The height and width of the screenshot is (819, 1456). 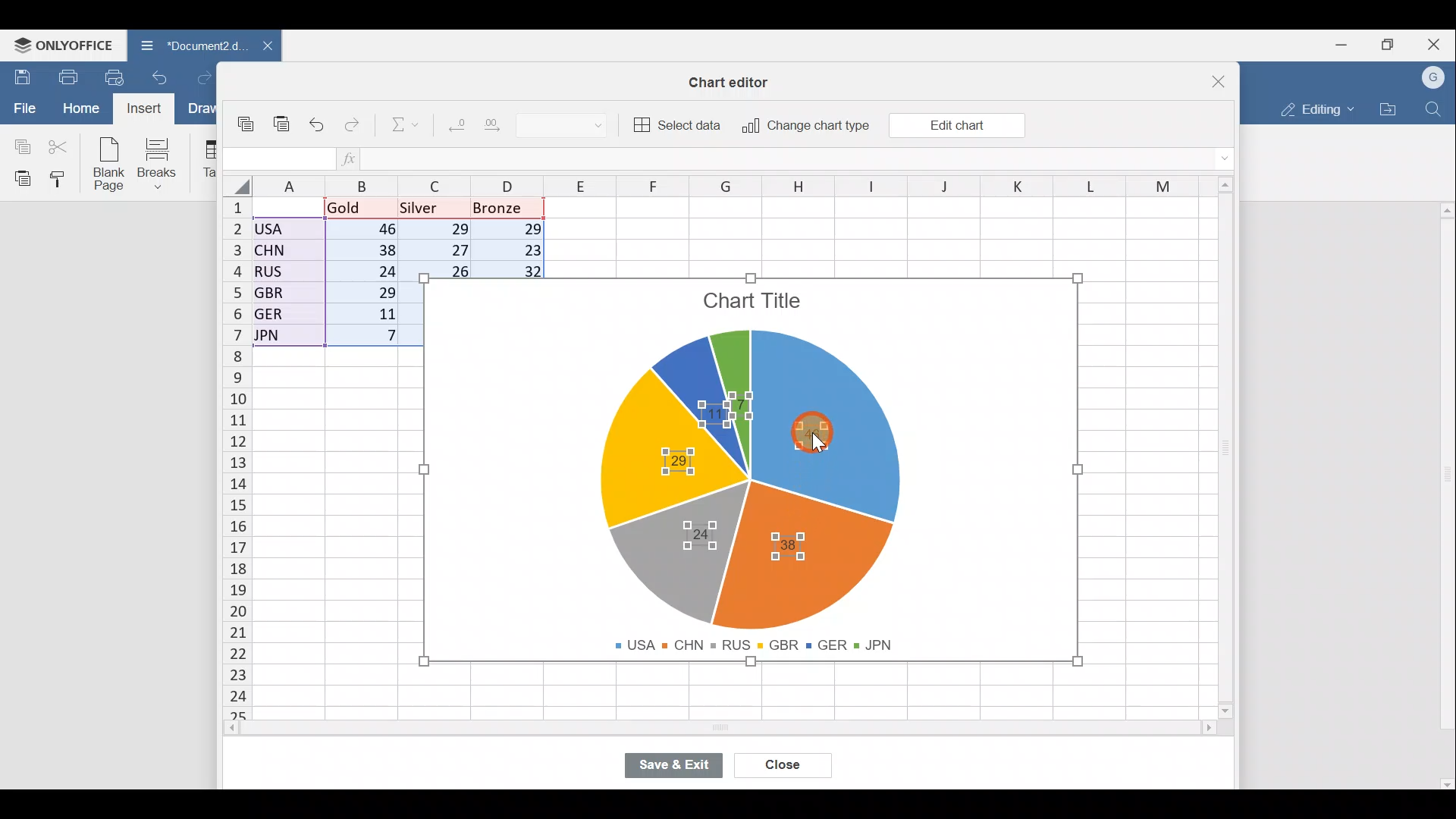 I want to click on Copy, so click(x=19, y=144).